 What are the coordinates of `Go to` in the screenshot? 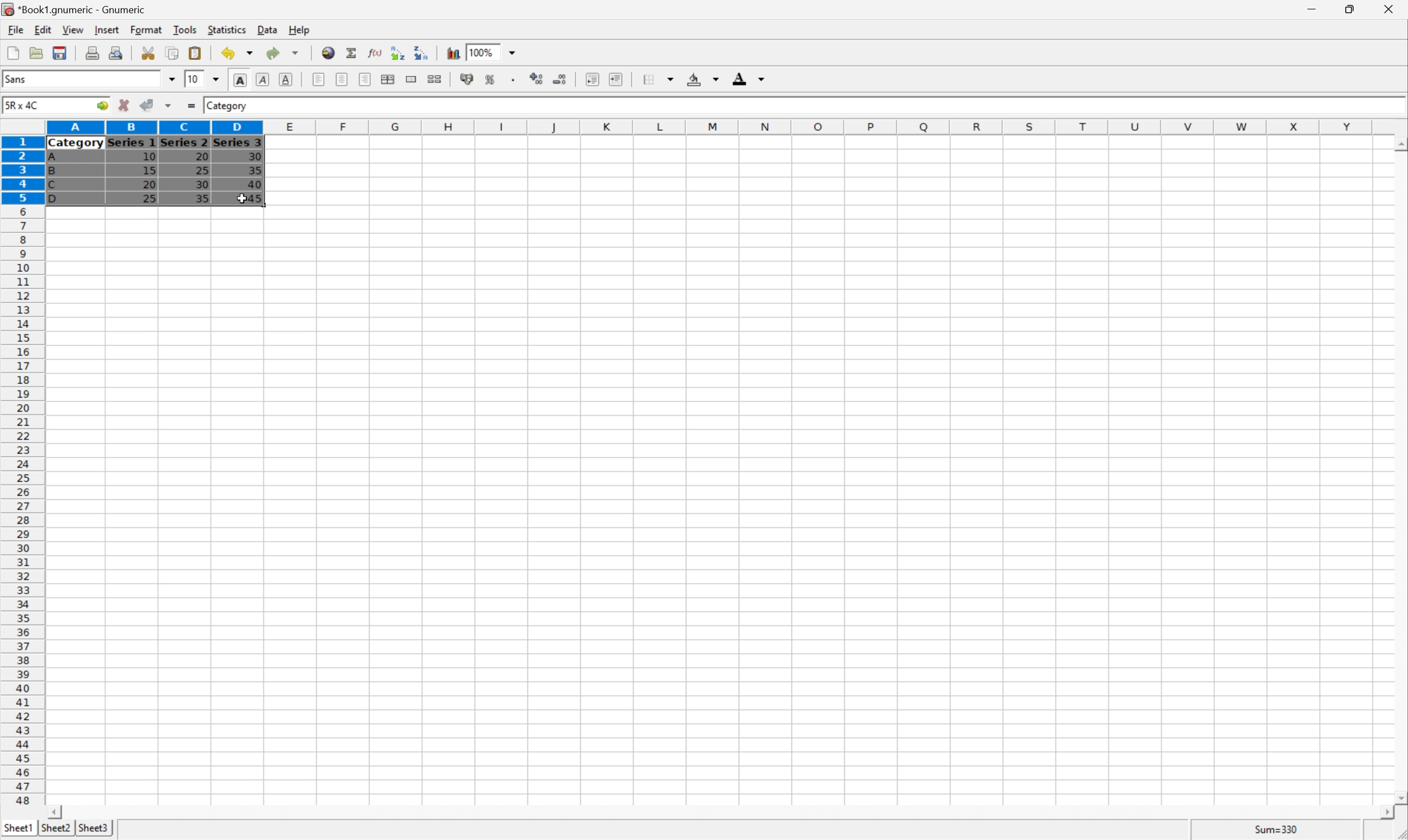 It's located at (100, 105).